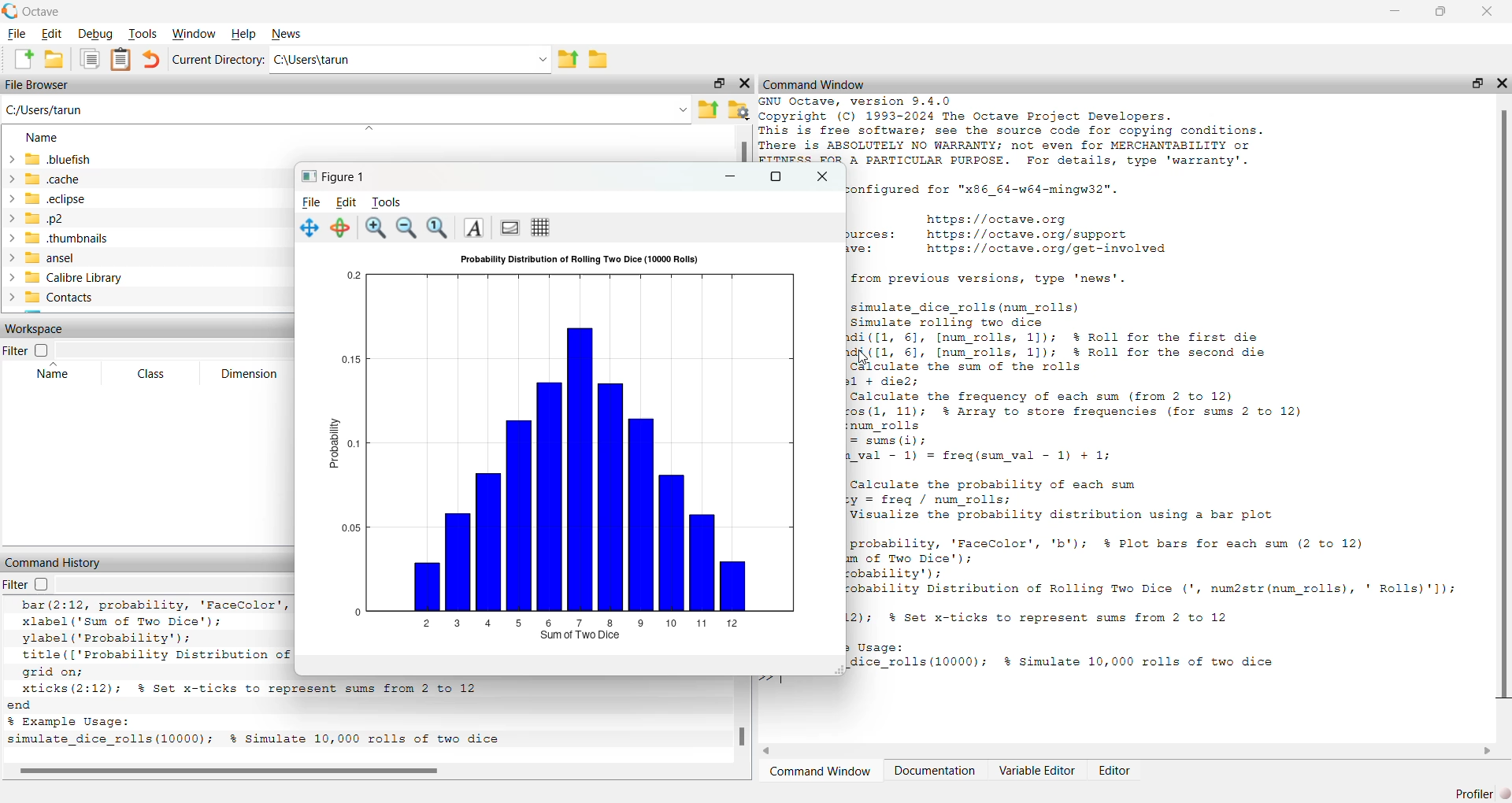 This screenshot has width=1512, height=803. What do you see at coordinates (44, 139) in the screenshot?
I see `Name` at bounding box center [44, 139].